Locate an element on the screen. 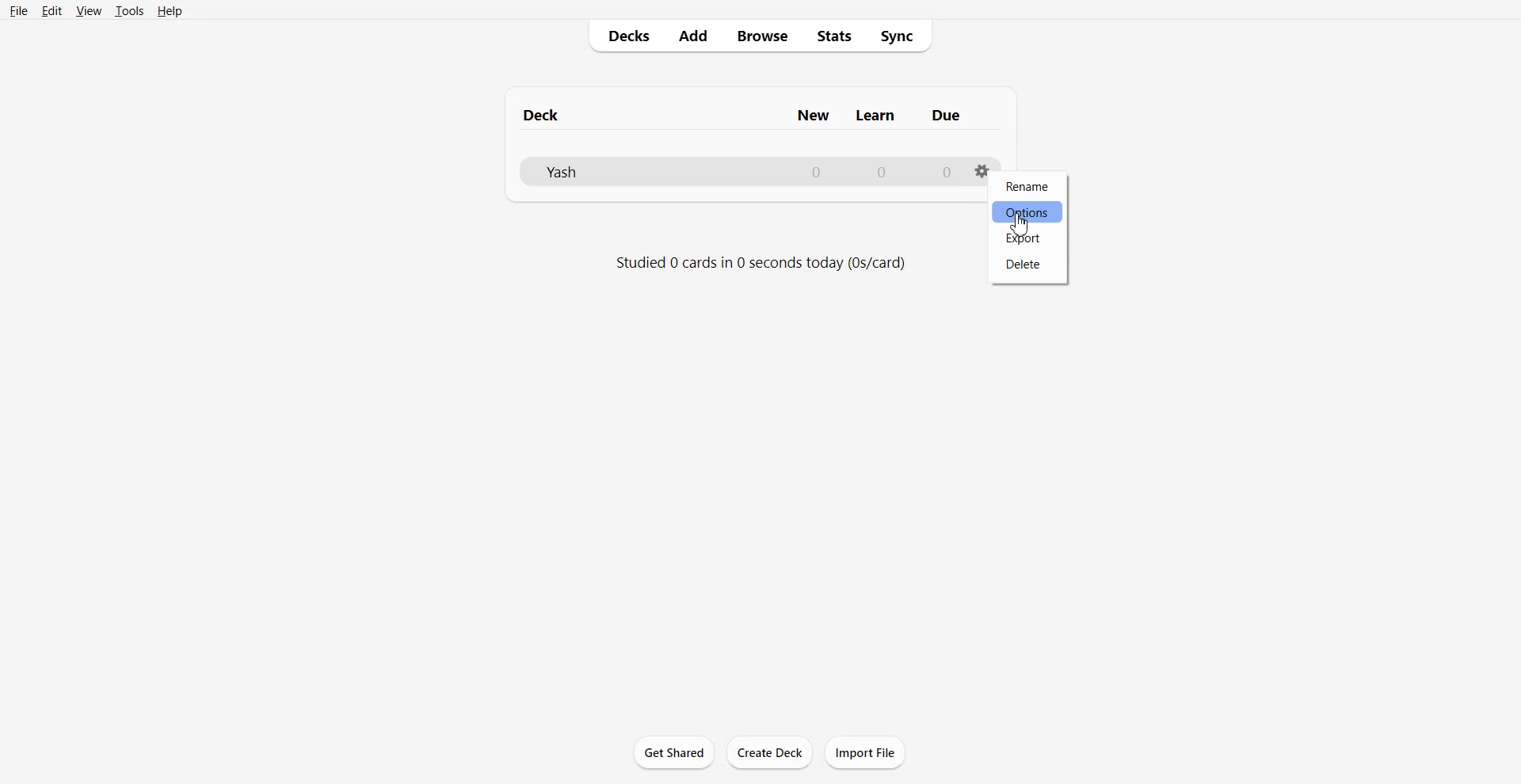  Stats is located at coordinates (833, 36).